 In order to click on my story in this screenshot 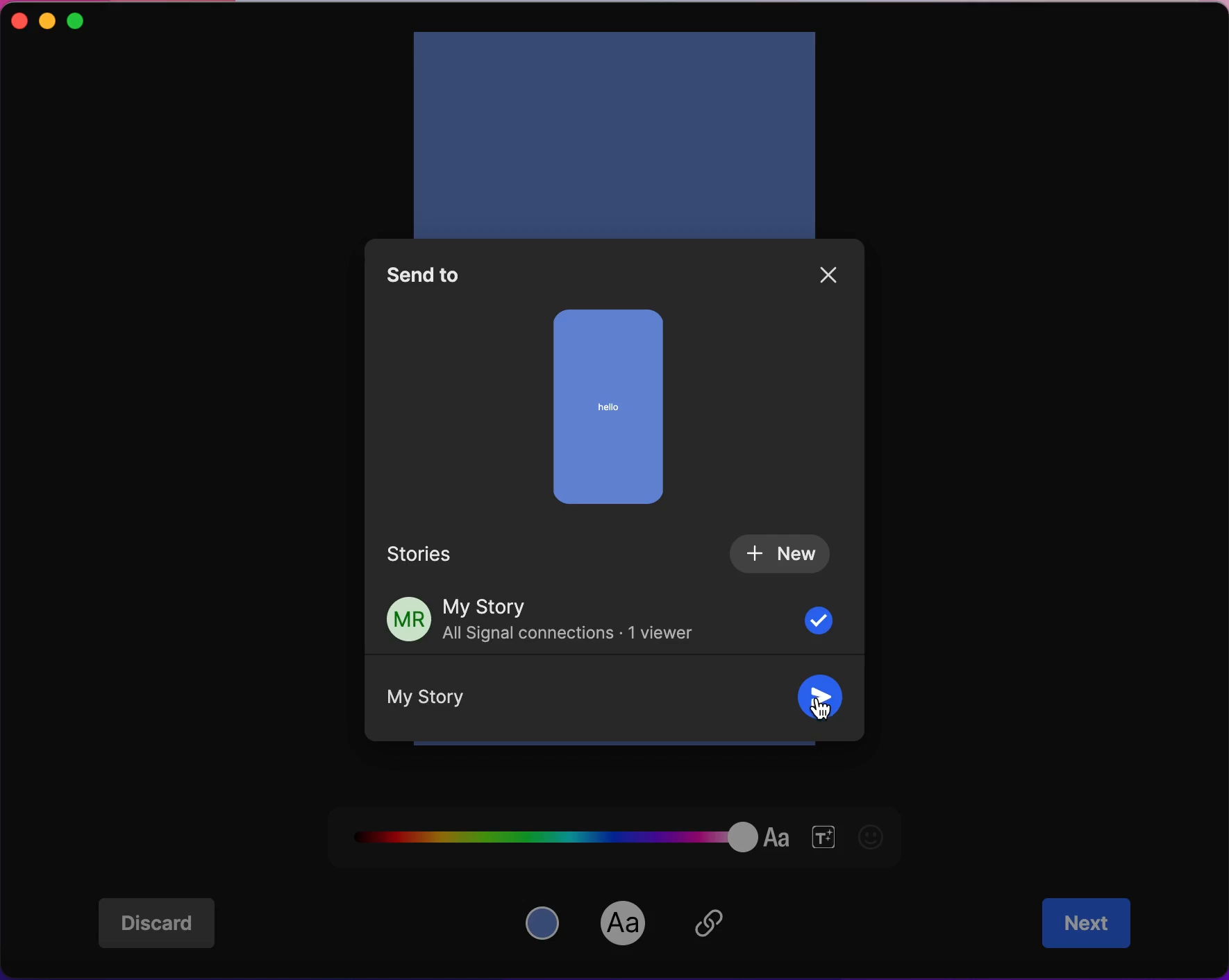, I will do `click(580, 605)`.